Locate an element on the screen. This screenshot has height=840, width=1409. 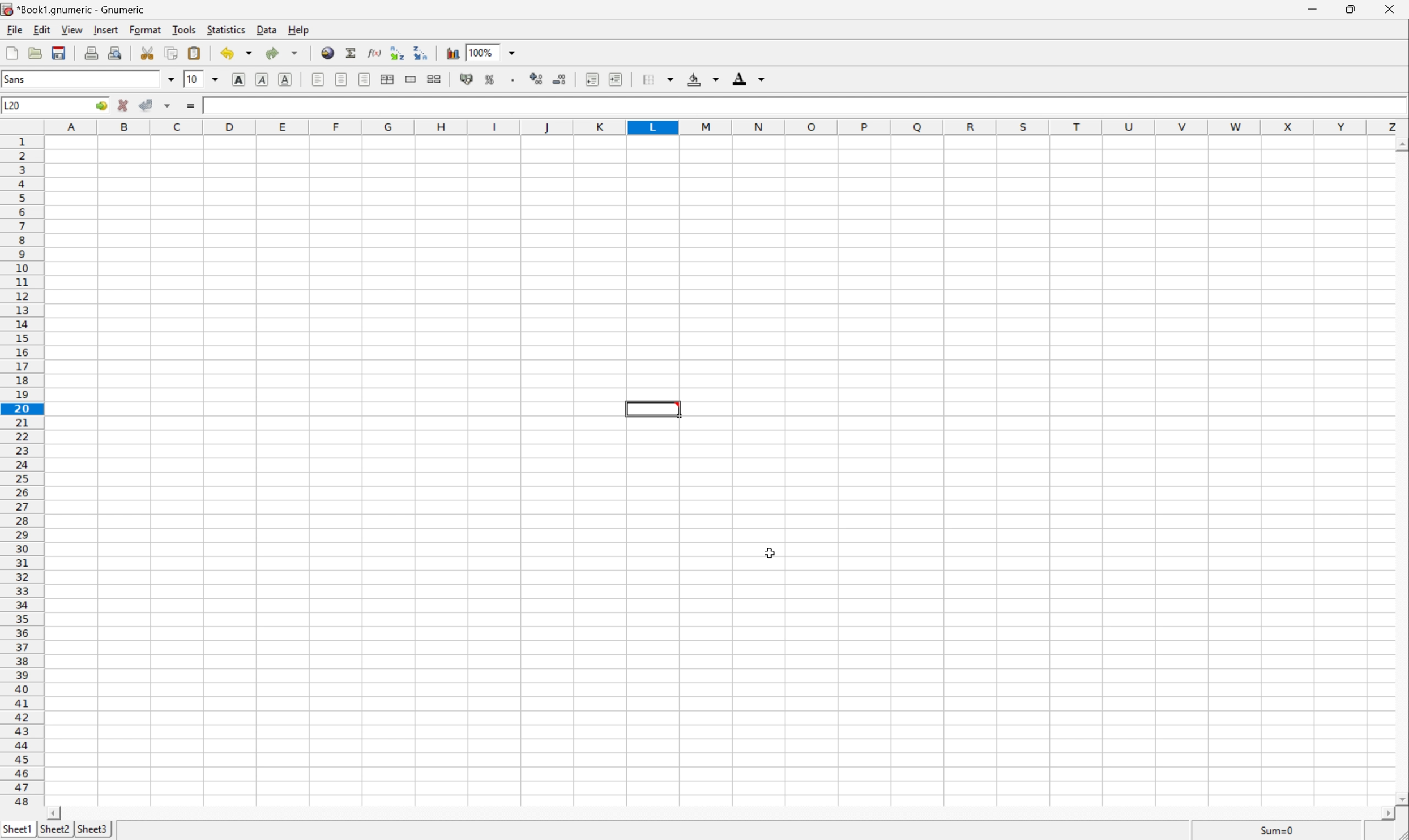
Data is located at coordinates (265, 29).